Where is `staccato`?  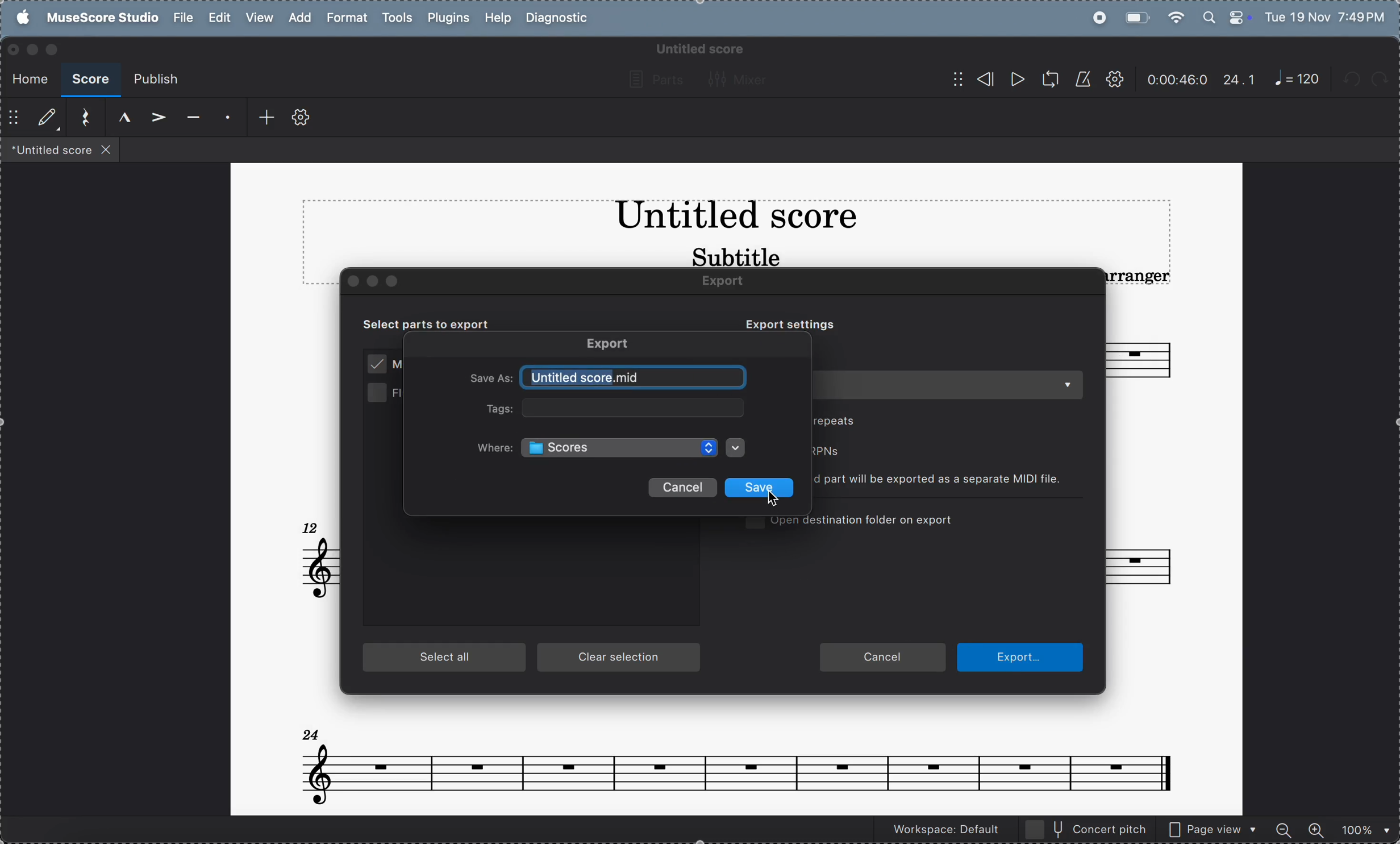 staccato is located at coordinates (225, 119).